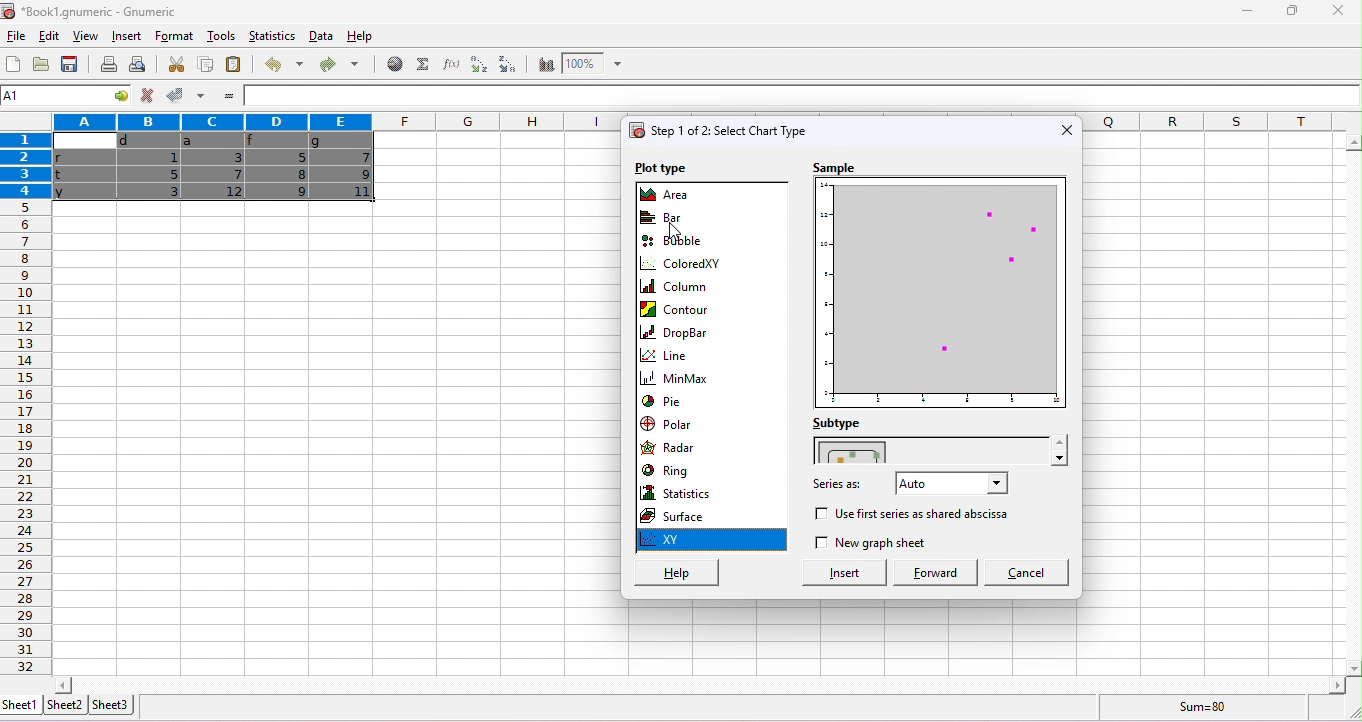  What do you see at coordinates (684, 495) in the screenshot?
I see `` at bounding box center [684, 495].